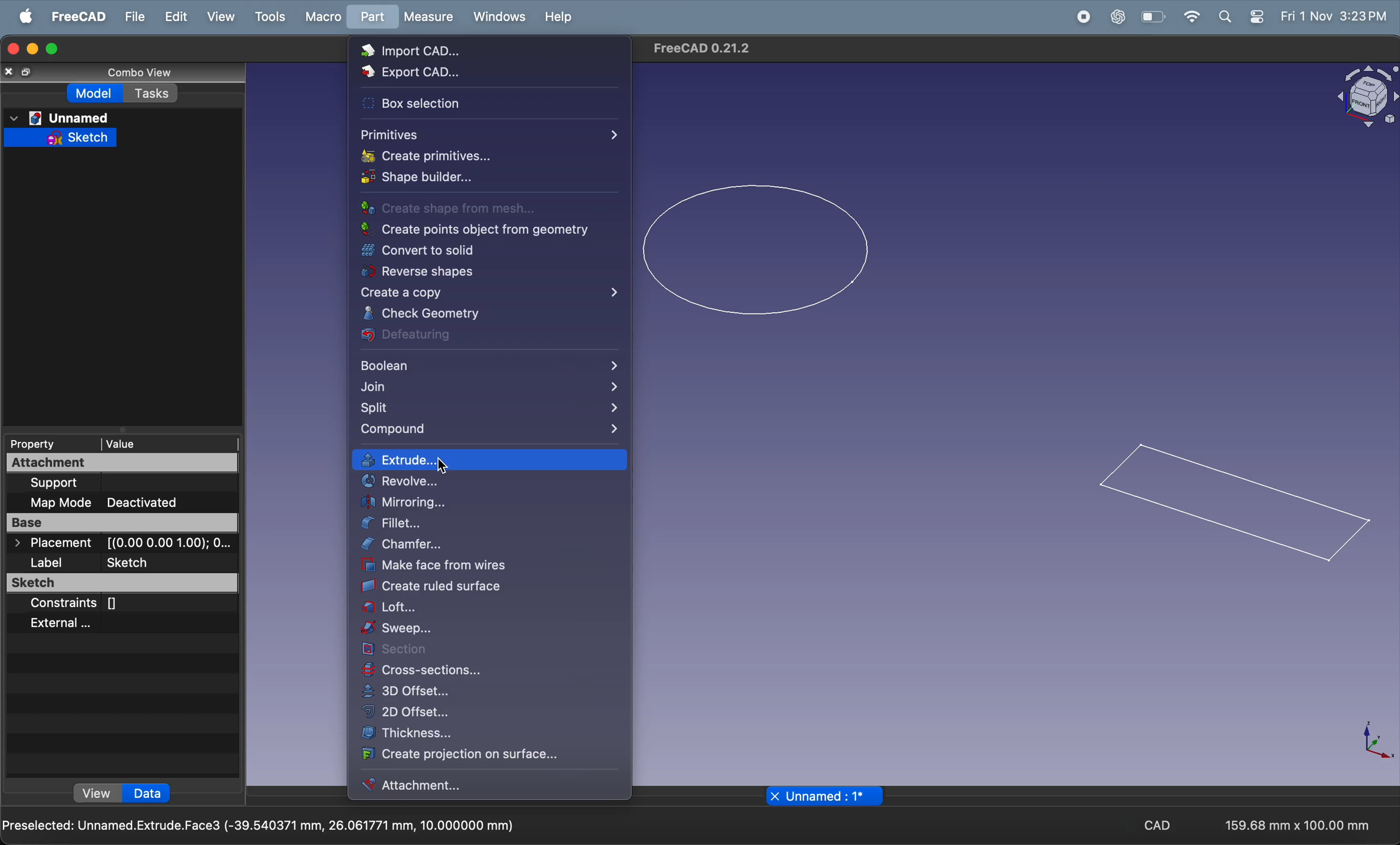  Describe the element at coordinates (476, 228) in the screenshot. I see `Create object from geometry` at that location.